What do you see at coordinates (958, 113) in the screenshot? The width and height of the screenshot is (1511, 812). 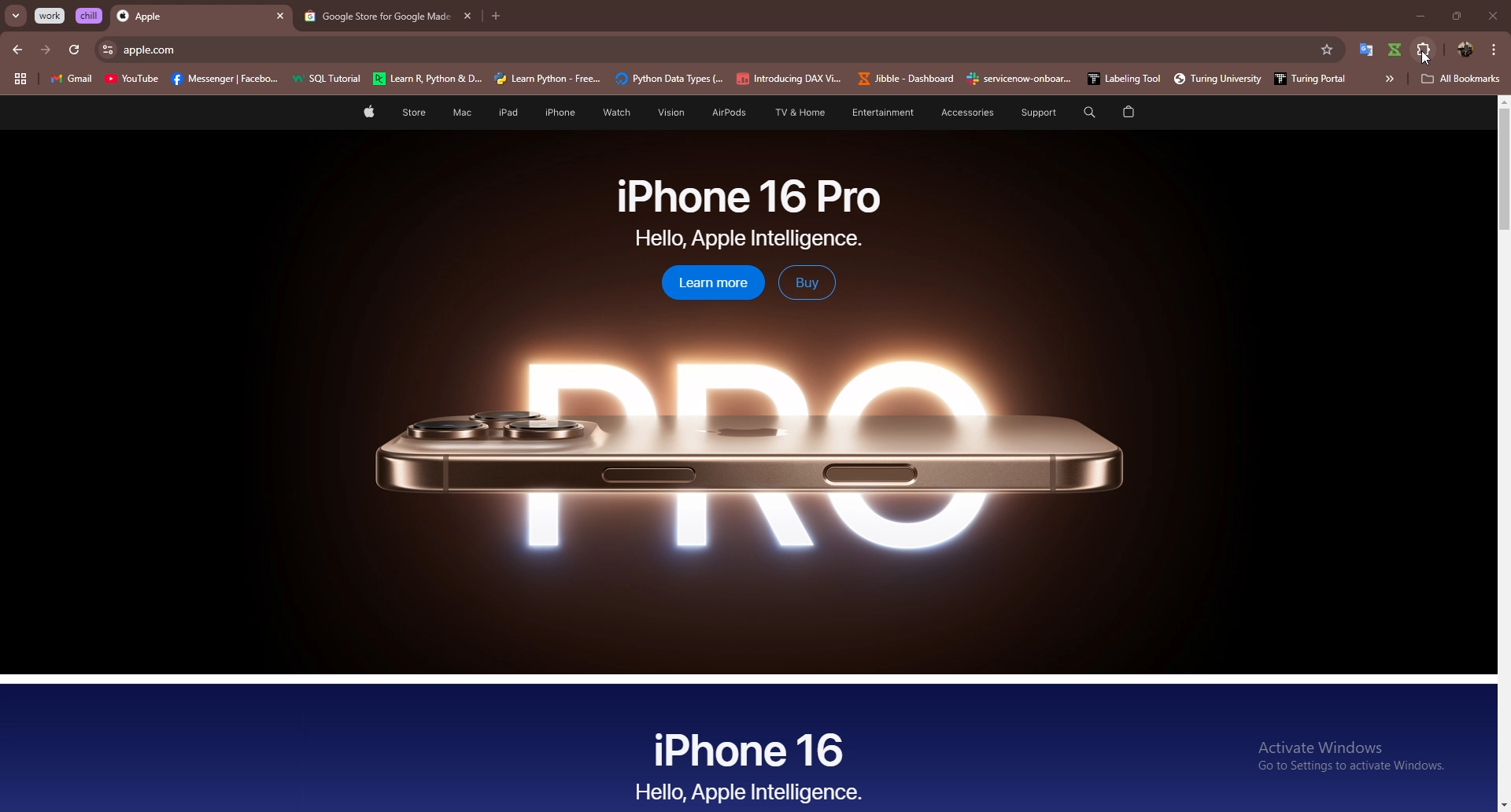 I see `Accessories` at bounding box center [958, 113].